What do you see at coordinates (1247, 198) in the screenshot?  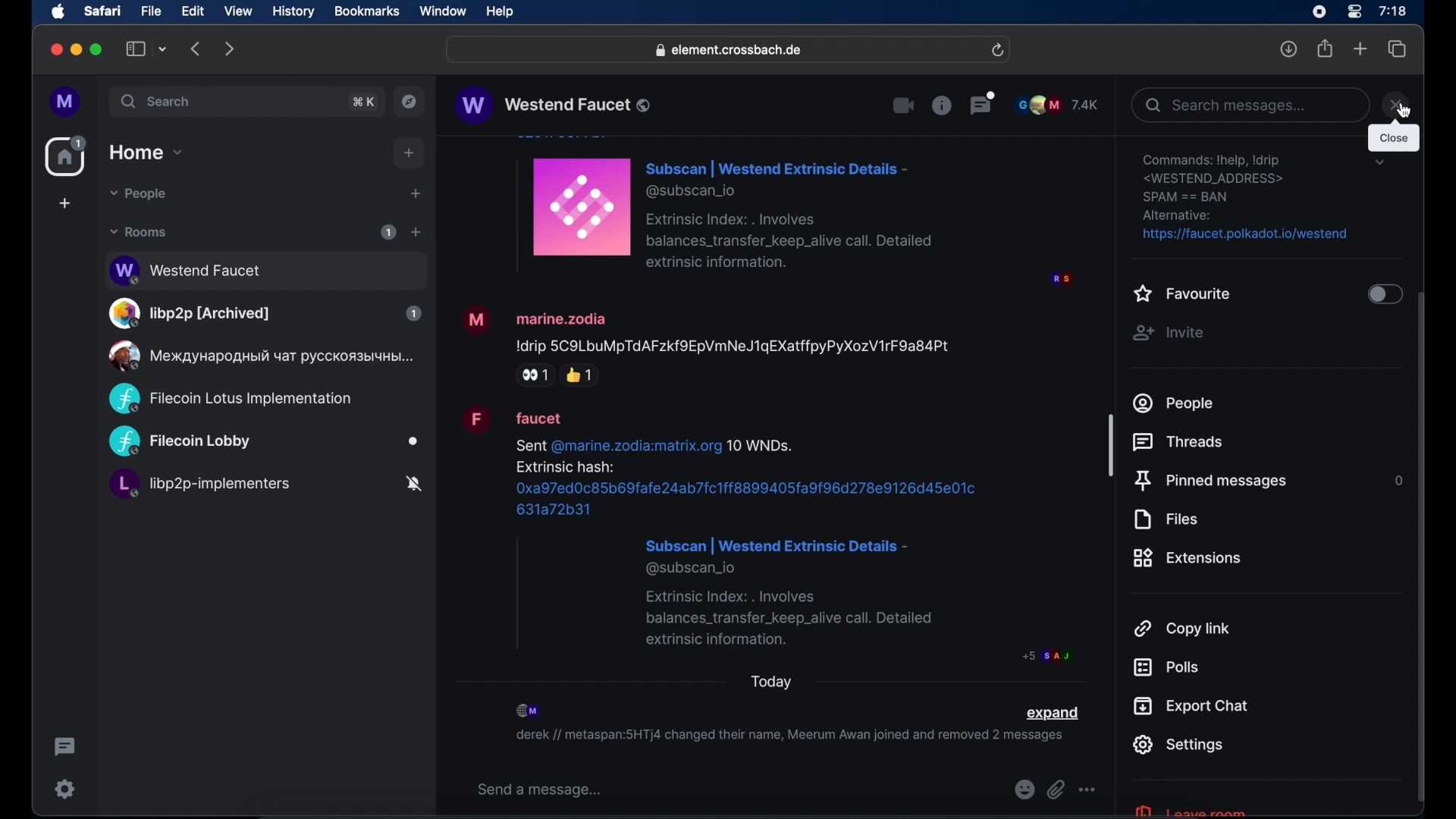 I see `settings ` at bounding box center [1247, 198].